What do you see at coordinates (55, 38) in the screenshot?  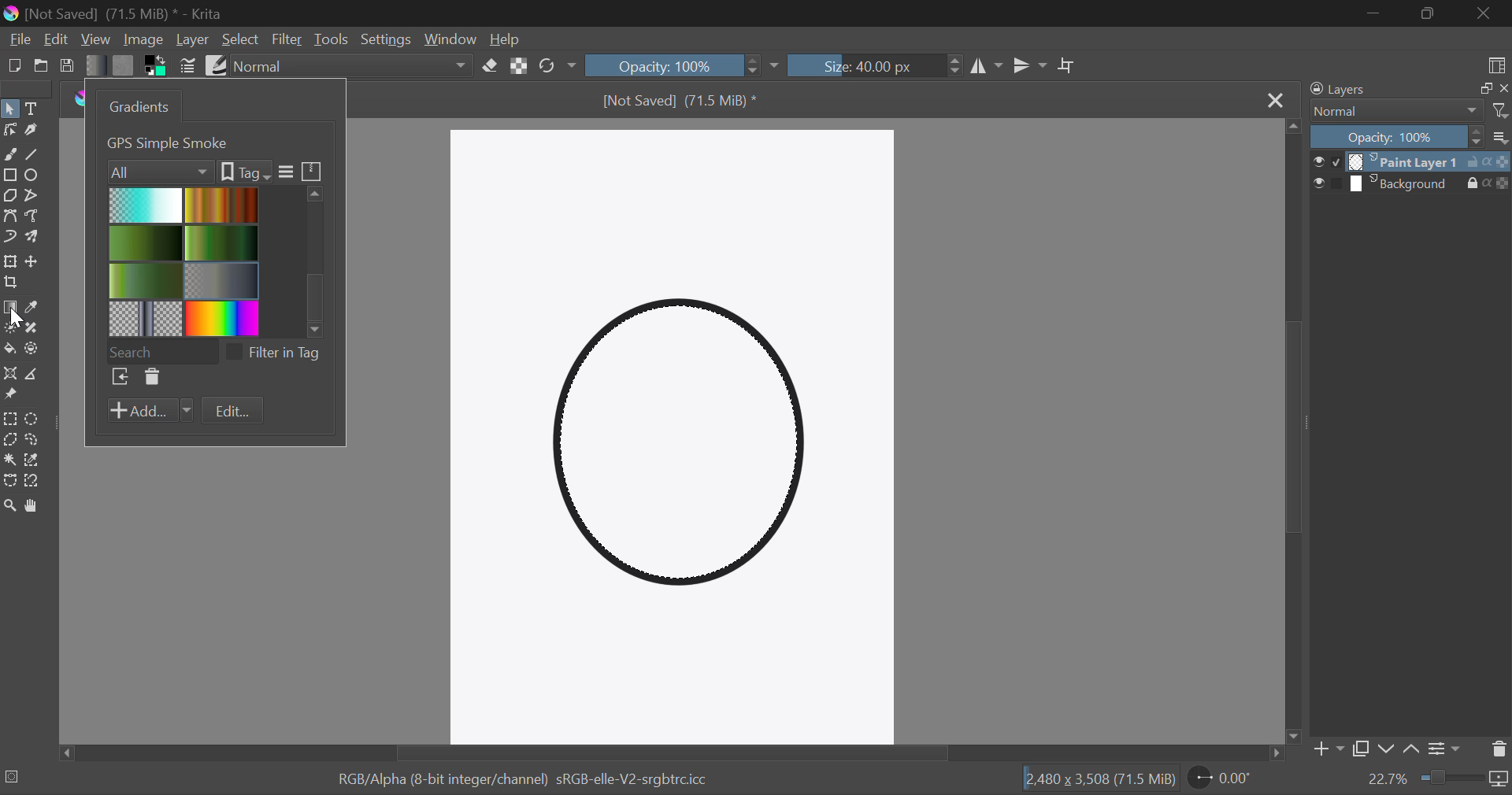 I see `Edit` at bounding box center [55, 38].